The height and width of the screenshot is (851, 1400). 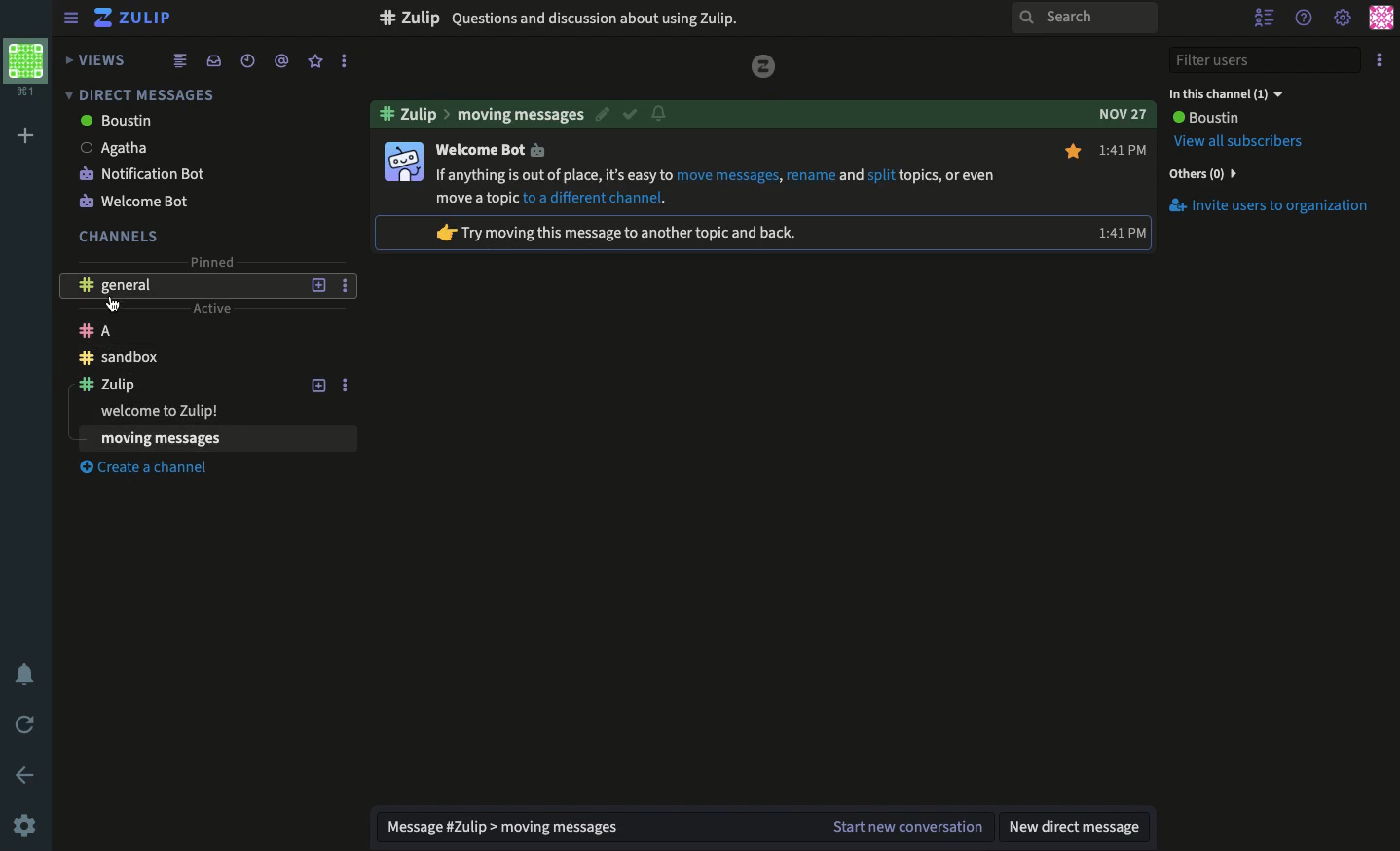 I want to click on Search, so click(x=1083, y=18).